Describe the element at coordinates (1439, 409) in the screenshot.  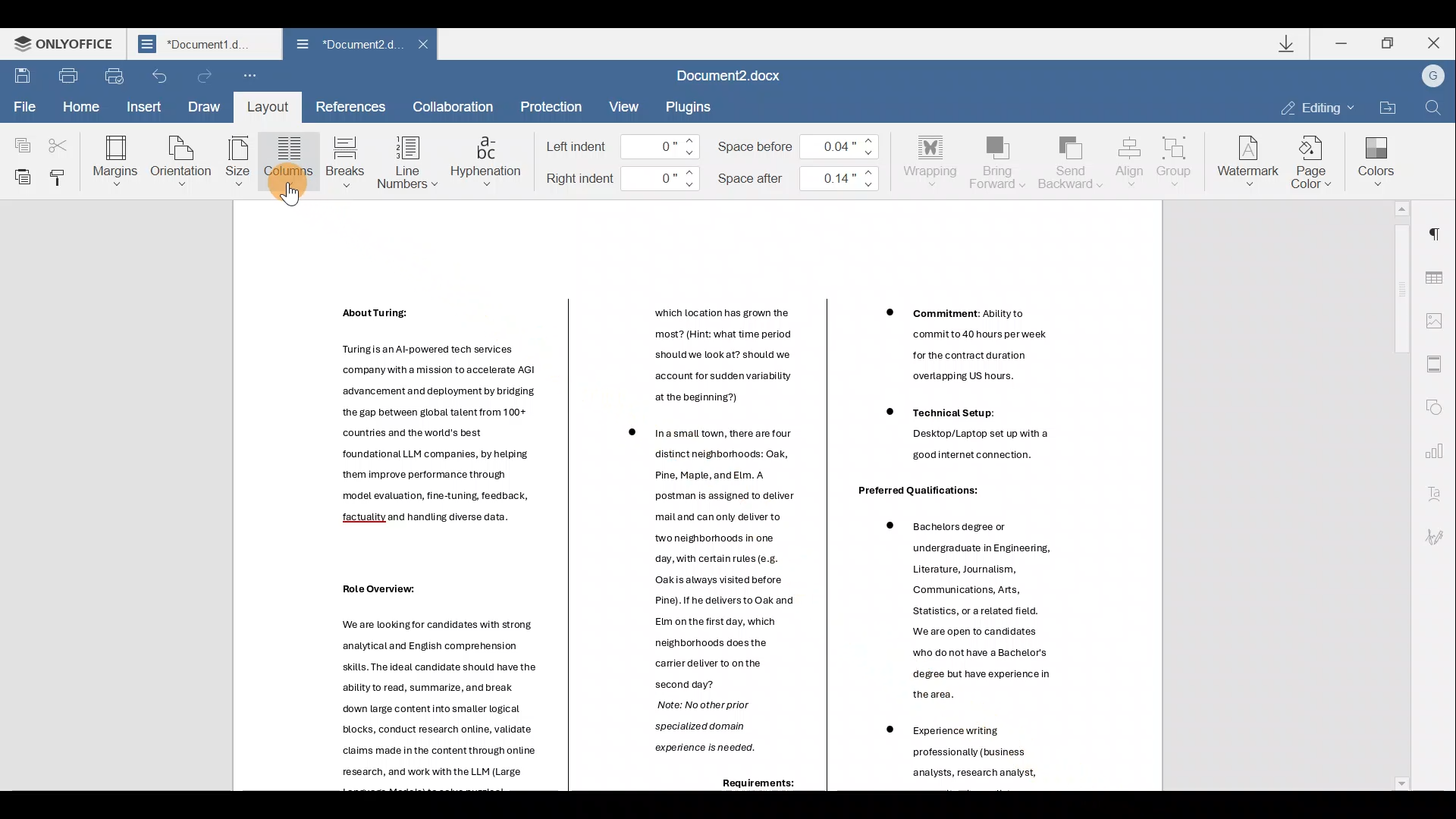
I see `Shape settings` at that location.